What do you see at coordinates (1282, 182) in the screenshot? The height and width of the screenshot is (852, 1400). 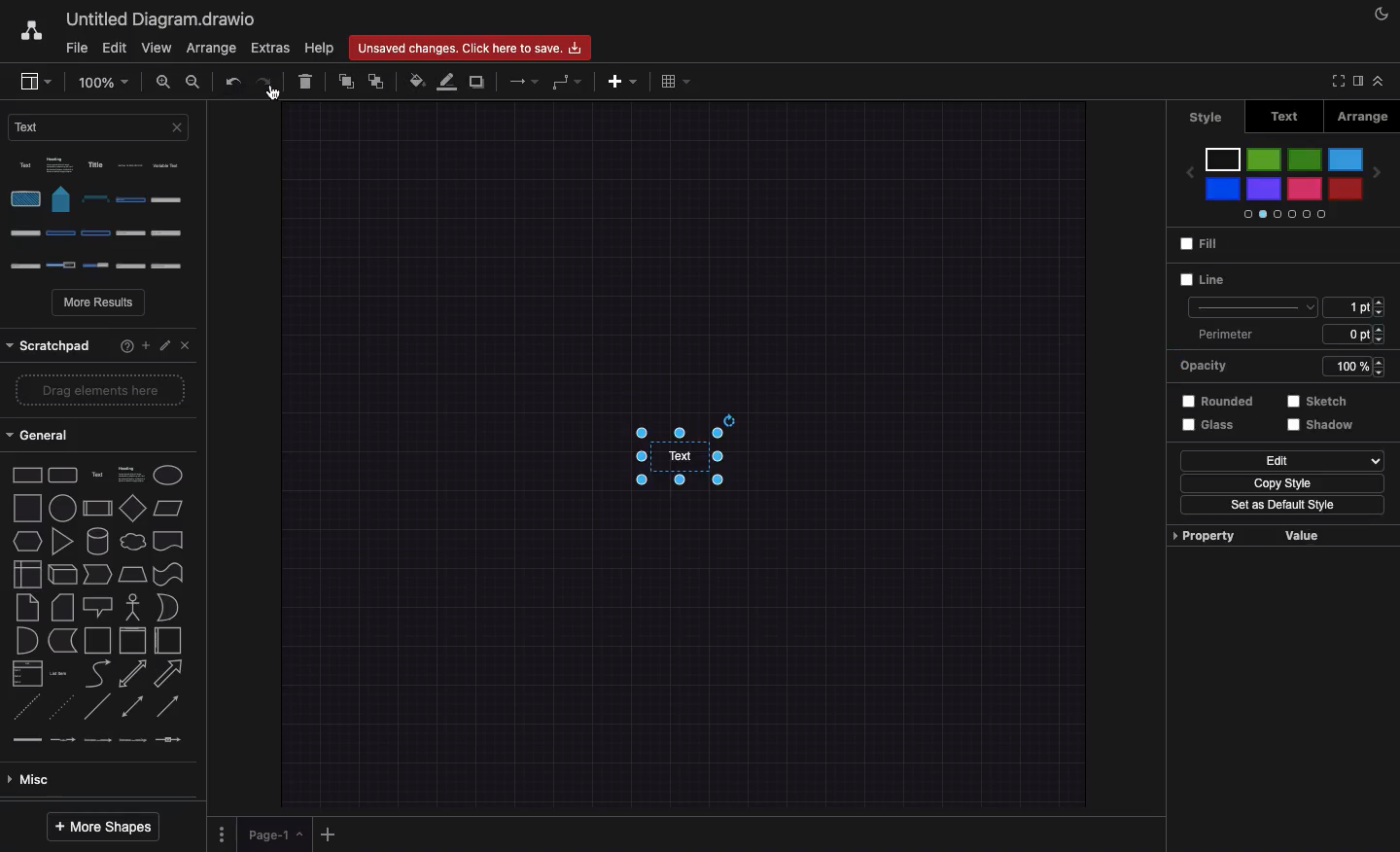 I see `Colors` at bounding box center [1282, 182].